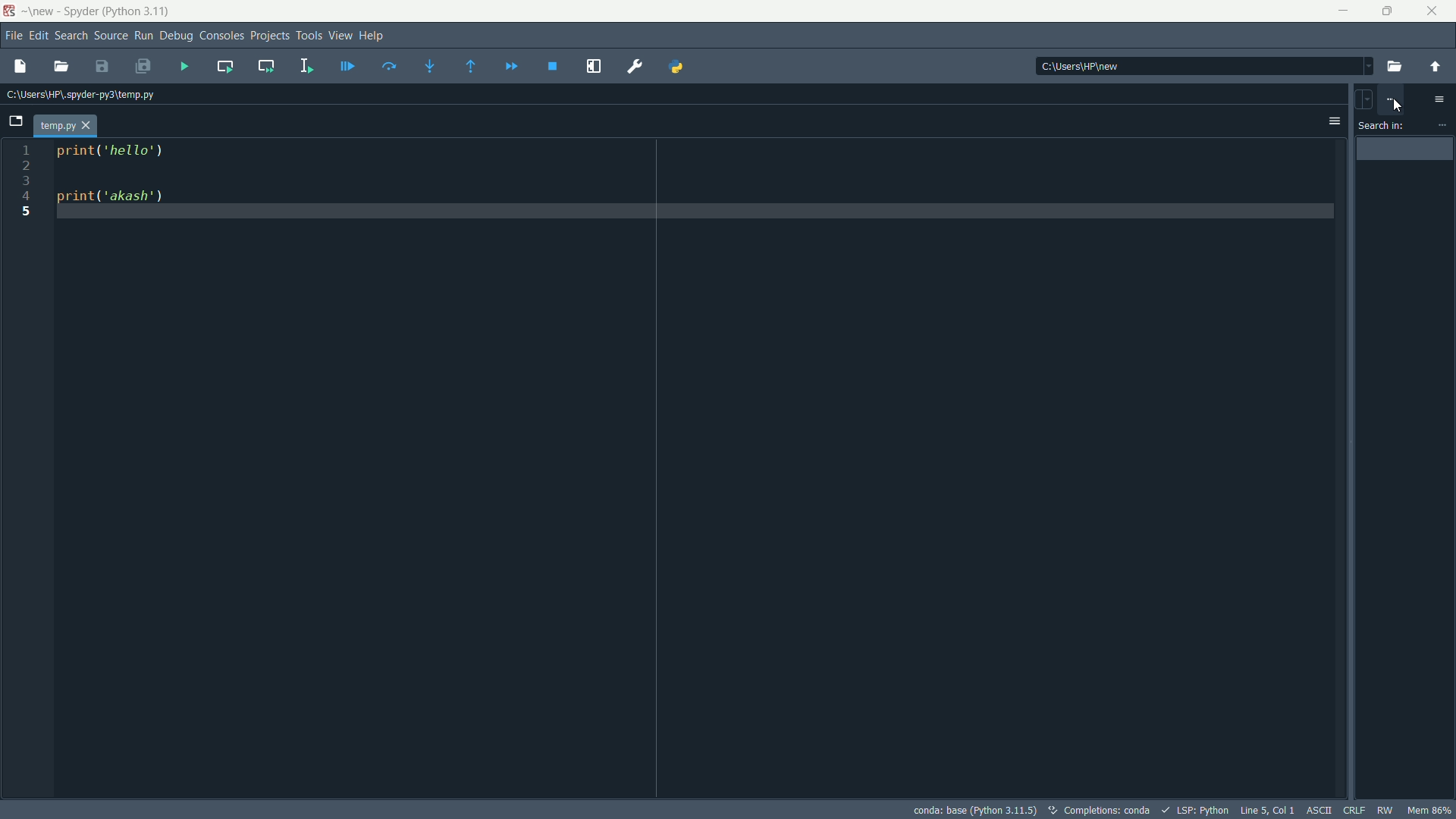 Image resolution: width=1456 pixels, height=819 pixels. Describe the element at coordinates (1353, 808) in the screenshot. I see `CRLF` at that location.